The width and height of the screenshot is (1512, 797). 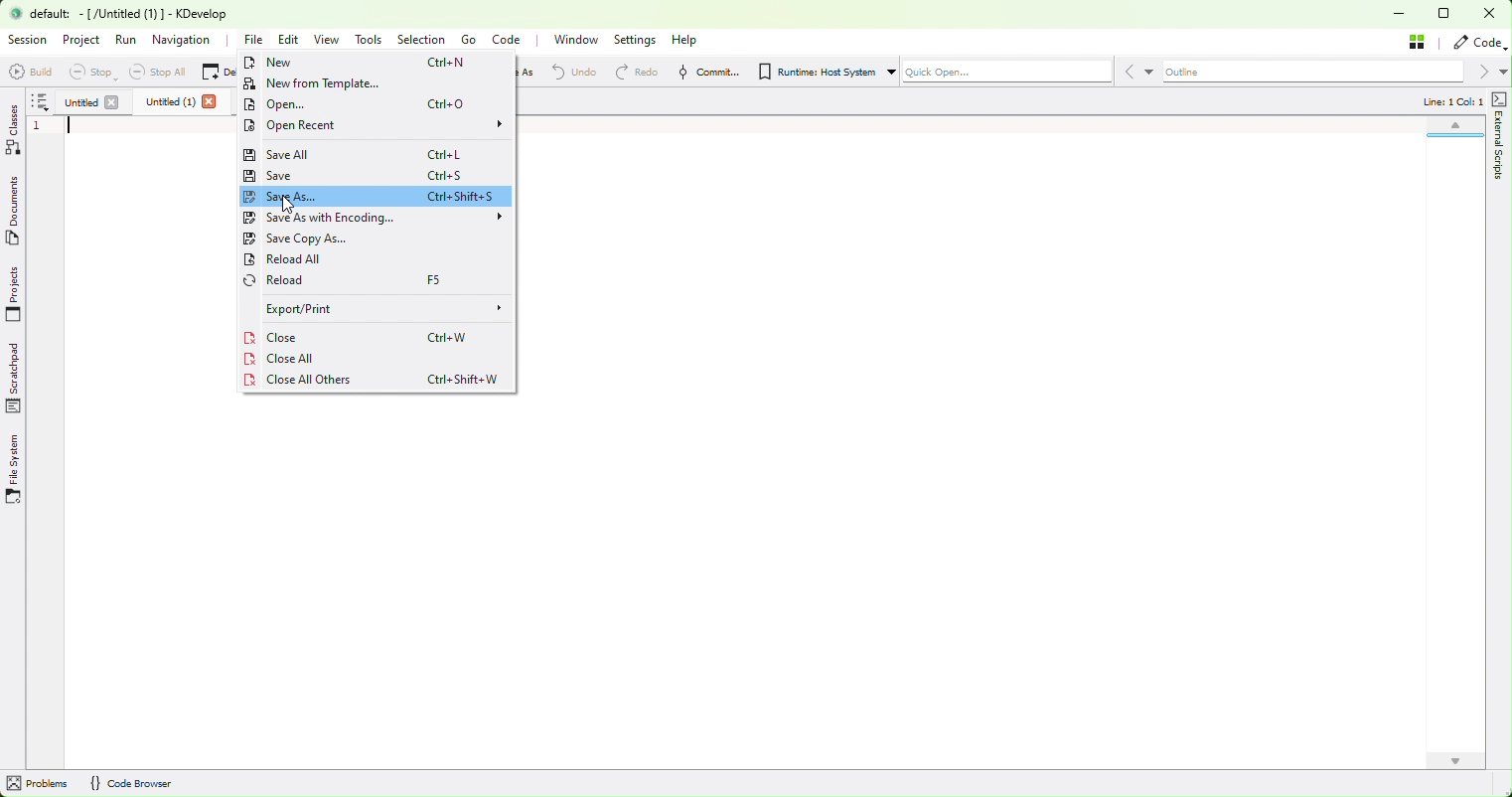 What do you see at coordinates (40, 784) in the screenshot?
I see `problems` at bounding box center [40, 784].